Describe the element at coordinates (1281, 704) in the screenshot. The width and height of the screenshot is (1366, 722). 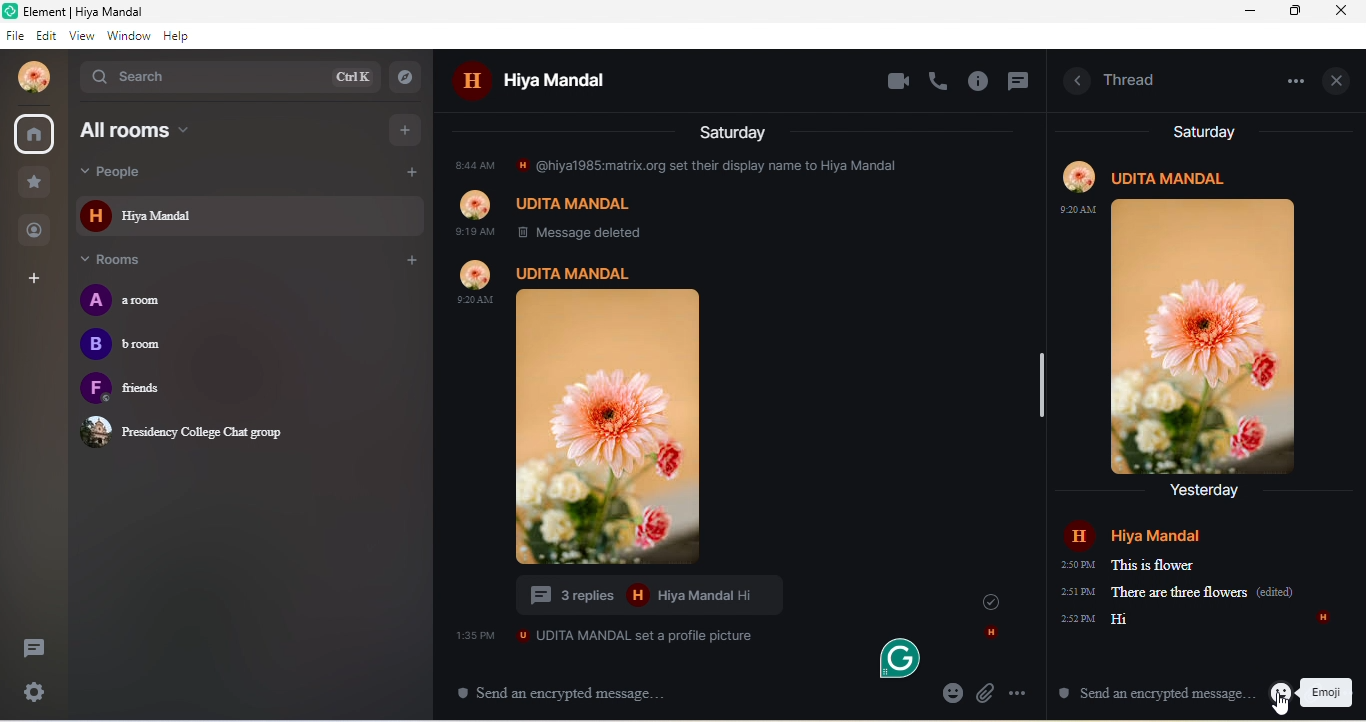
I see `cursor` at that location.